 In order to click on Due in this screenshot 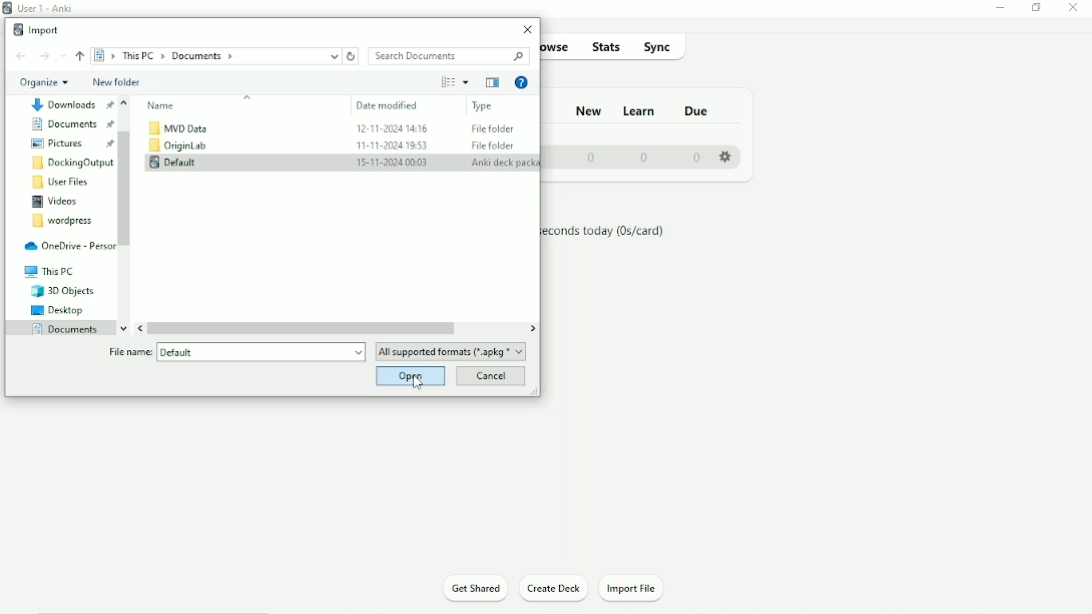, I will do `click(697, 111)`.